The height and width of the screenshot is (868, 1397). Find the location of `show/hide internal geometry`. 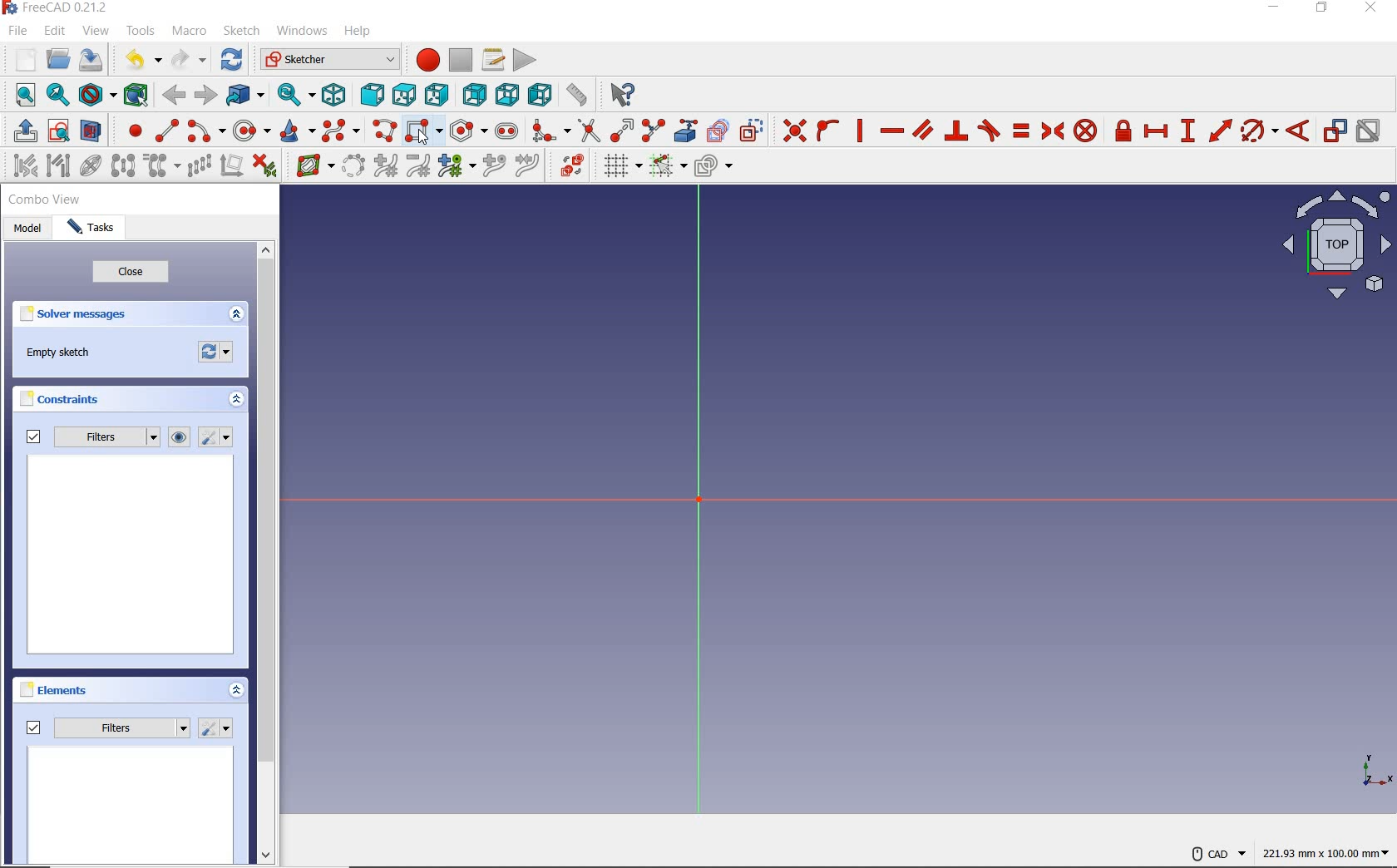

show/hide internal geometry is located at coordinates (89, 166).